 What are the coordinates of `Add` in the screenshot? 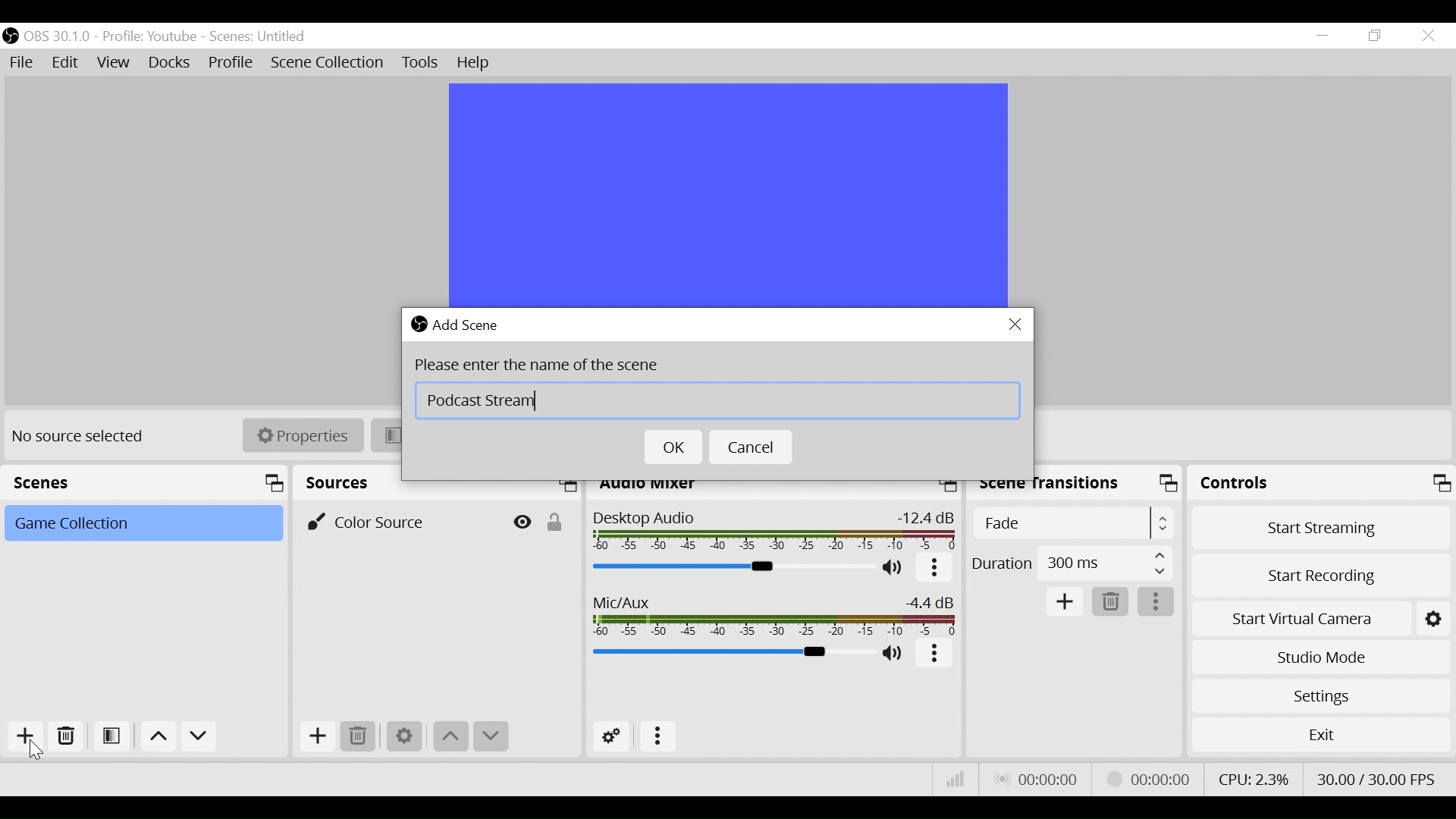 It's located at (24, 736).